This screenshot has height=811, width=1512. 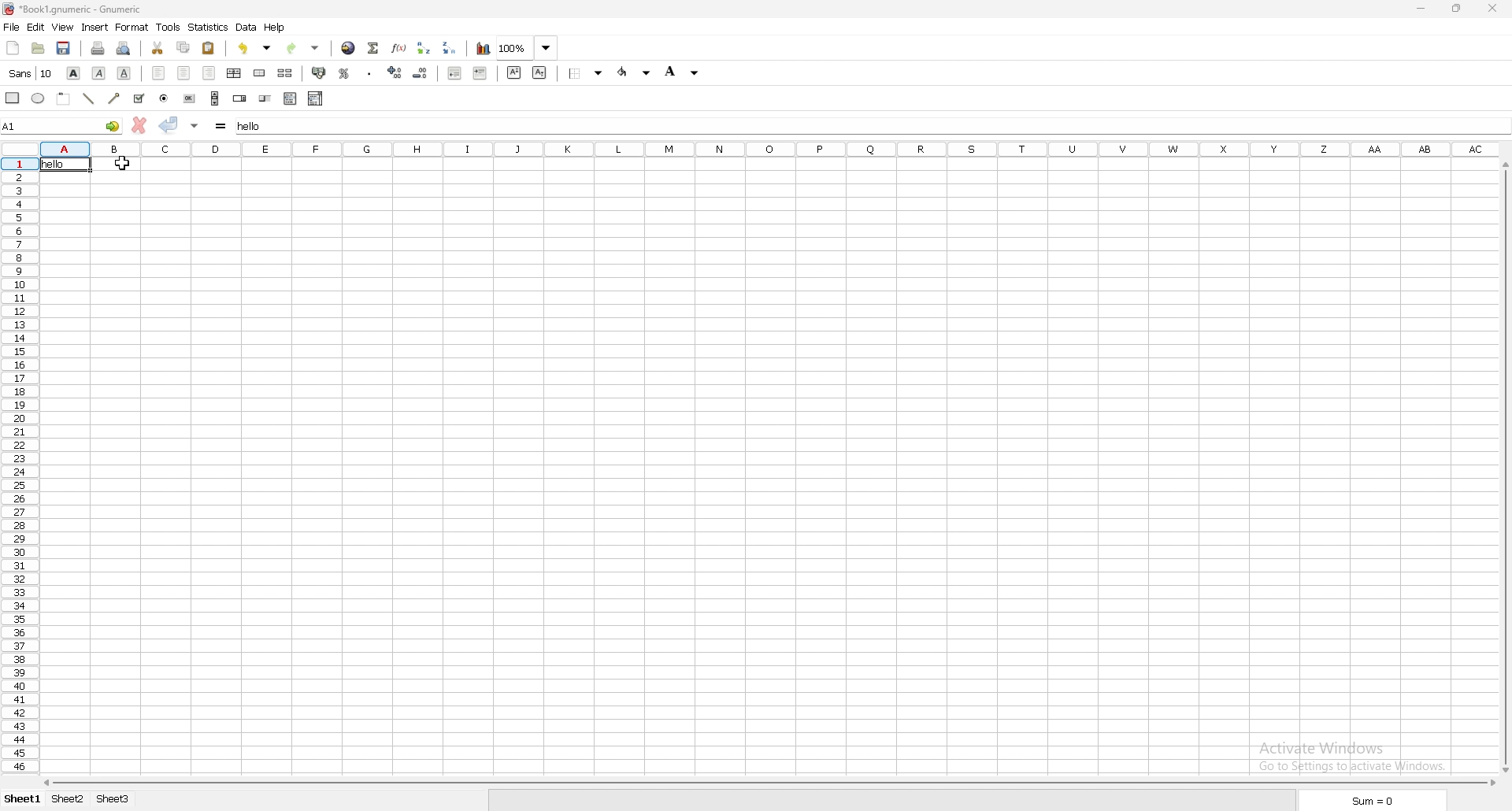 What do you see at coordinates (349, 47) in the screenshot?
I see `hyperlink` at bounding box center [349, 47].